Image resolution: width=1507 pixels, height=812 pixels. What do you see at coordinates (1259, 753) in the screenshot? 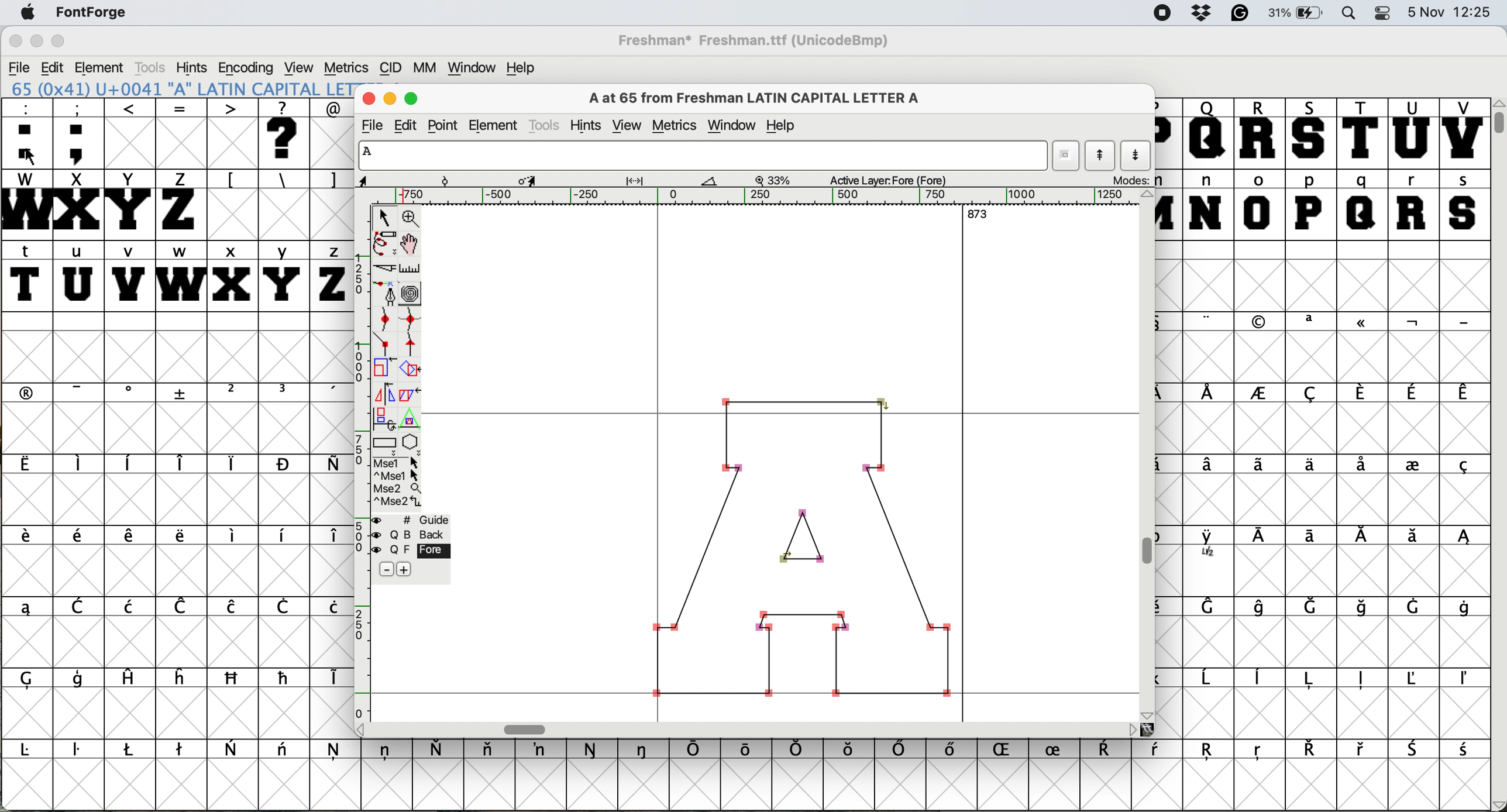
I see `symbol` at bounding box center [1259, 753].